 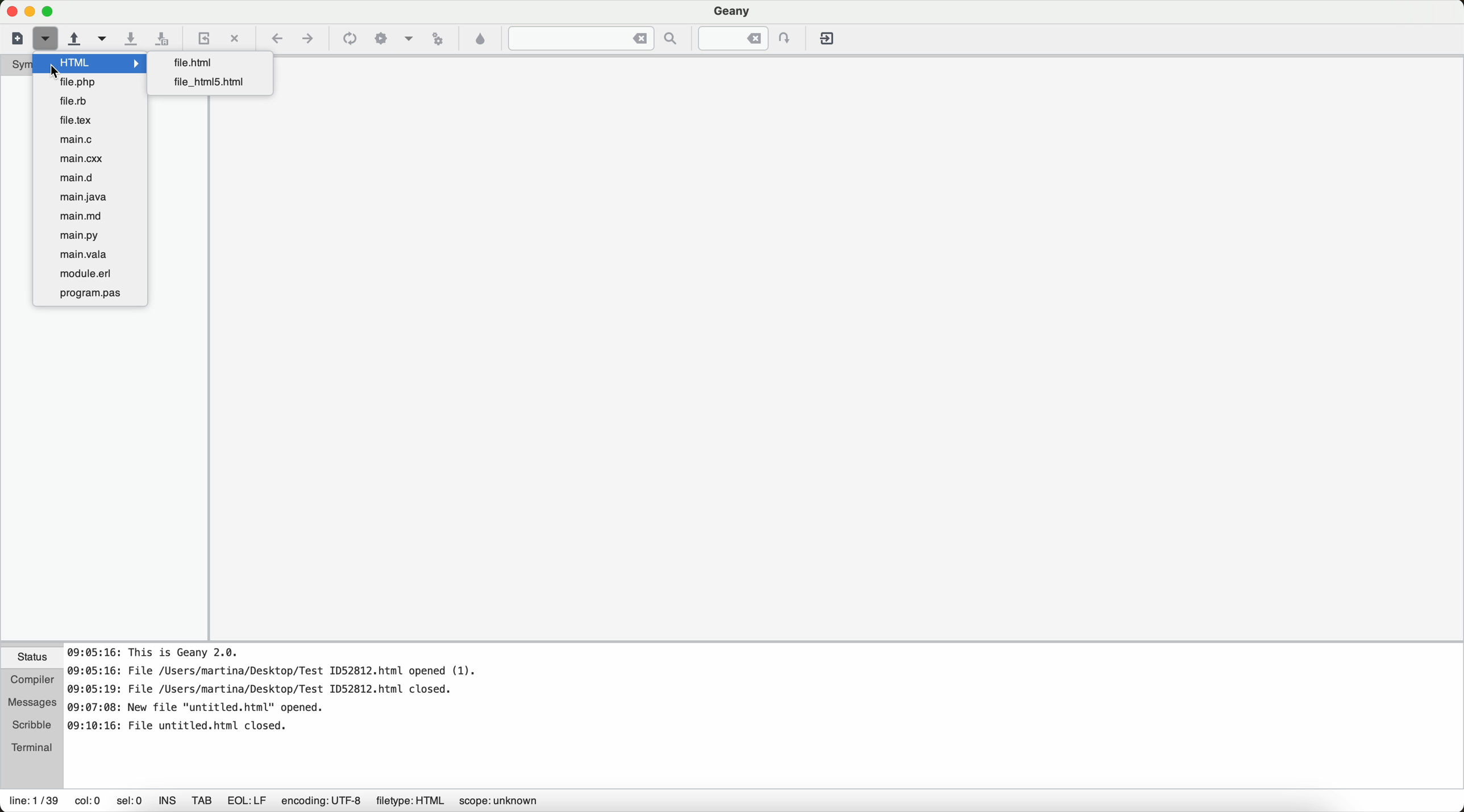 I want to click on file.html, so click(x=211, y=62).